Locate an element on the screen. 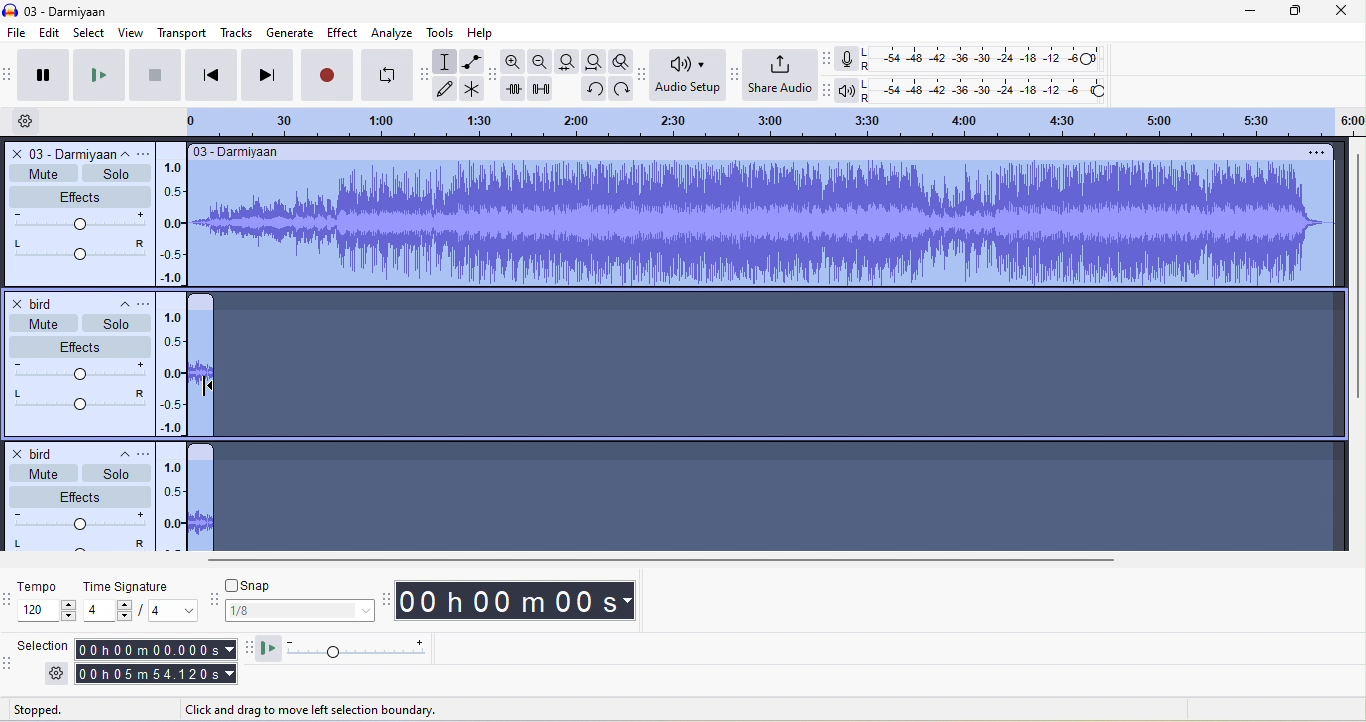 The image size is (1366, 722). enable looping is located at coordinates (388, 75).